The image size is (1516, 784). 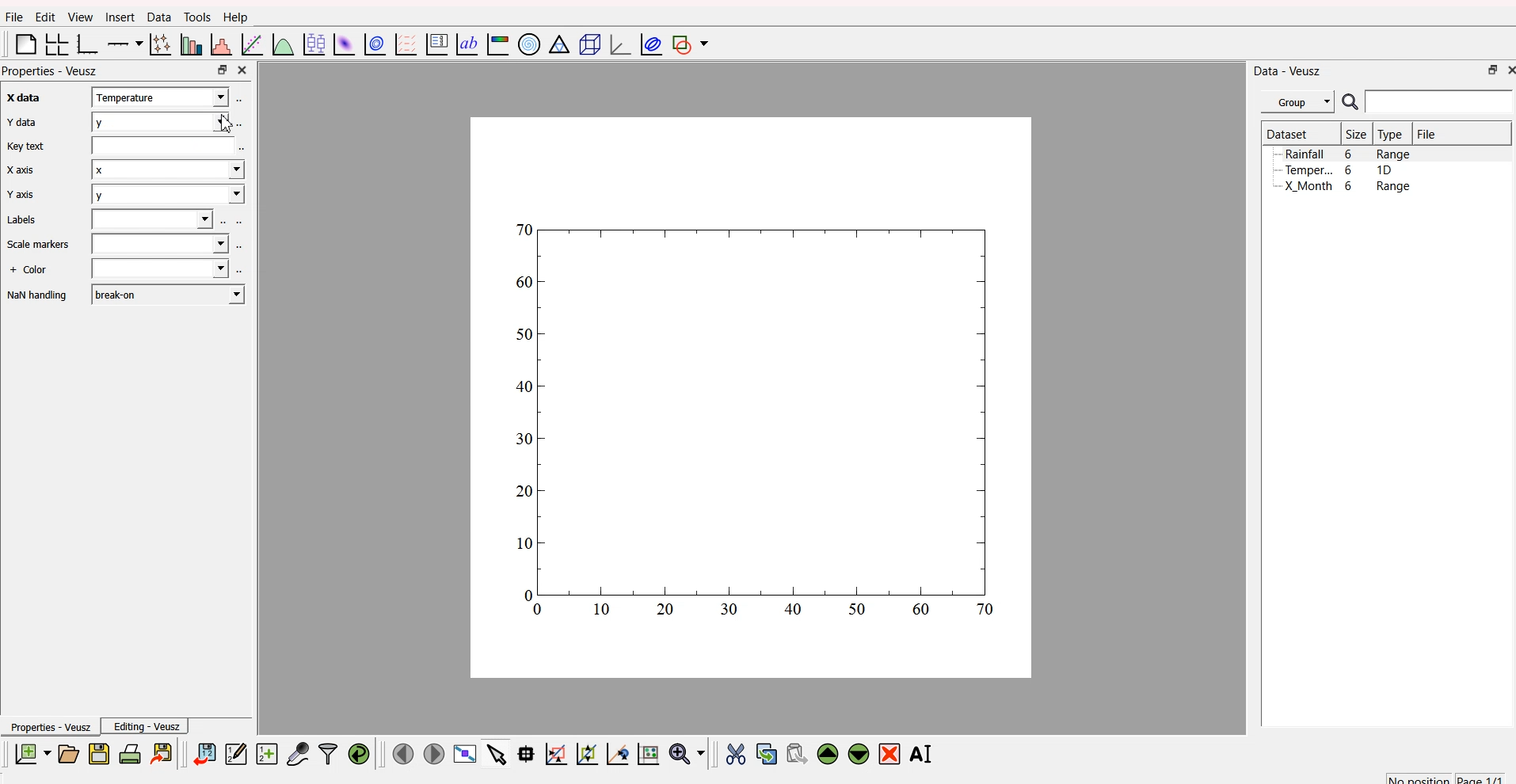 What do you see at coordinates (1354, 135) in the screenshot?
I see `| Size` at bounding box center [1354, 135].